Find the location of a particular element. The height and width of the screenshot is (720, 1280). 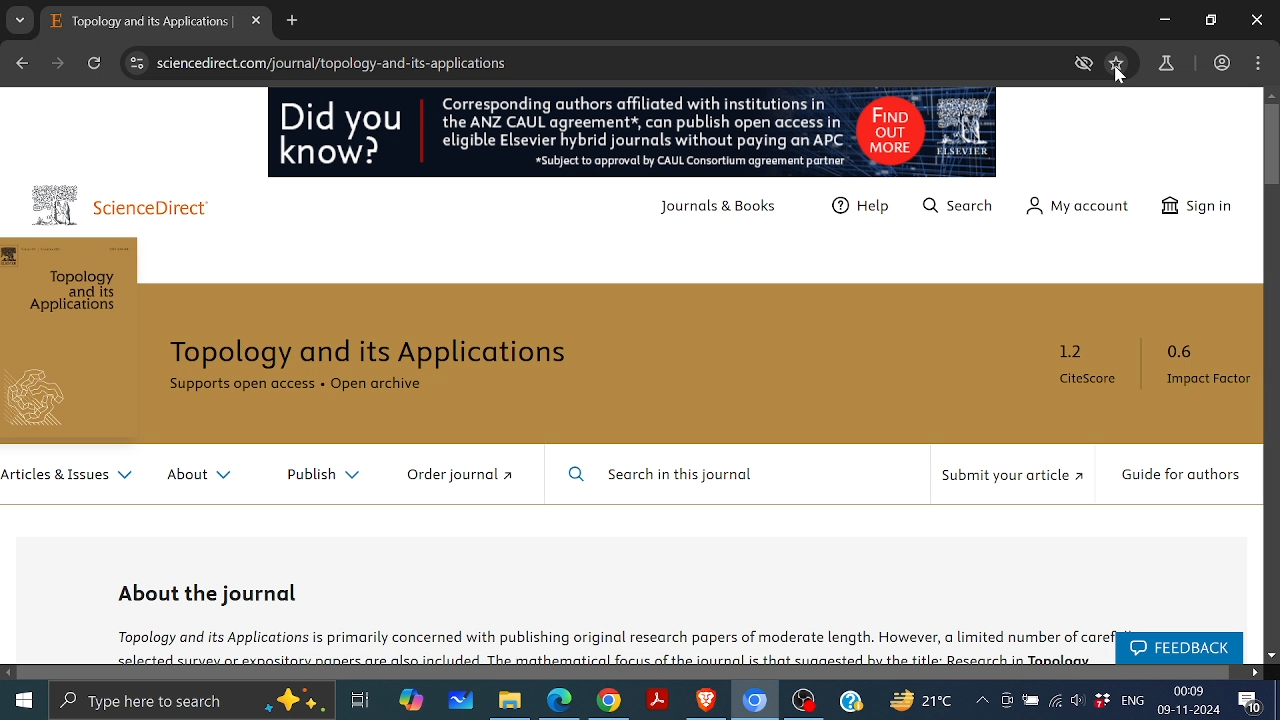

about is located at coordinates (200, 478).